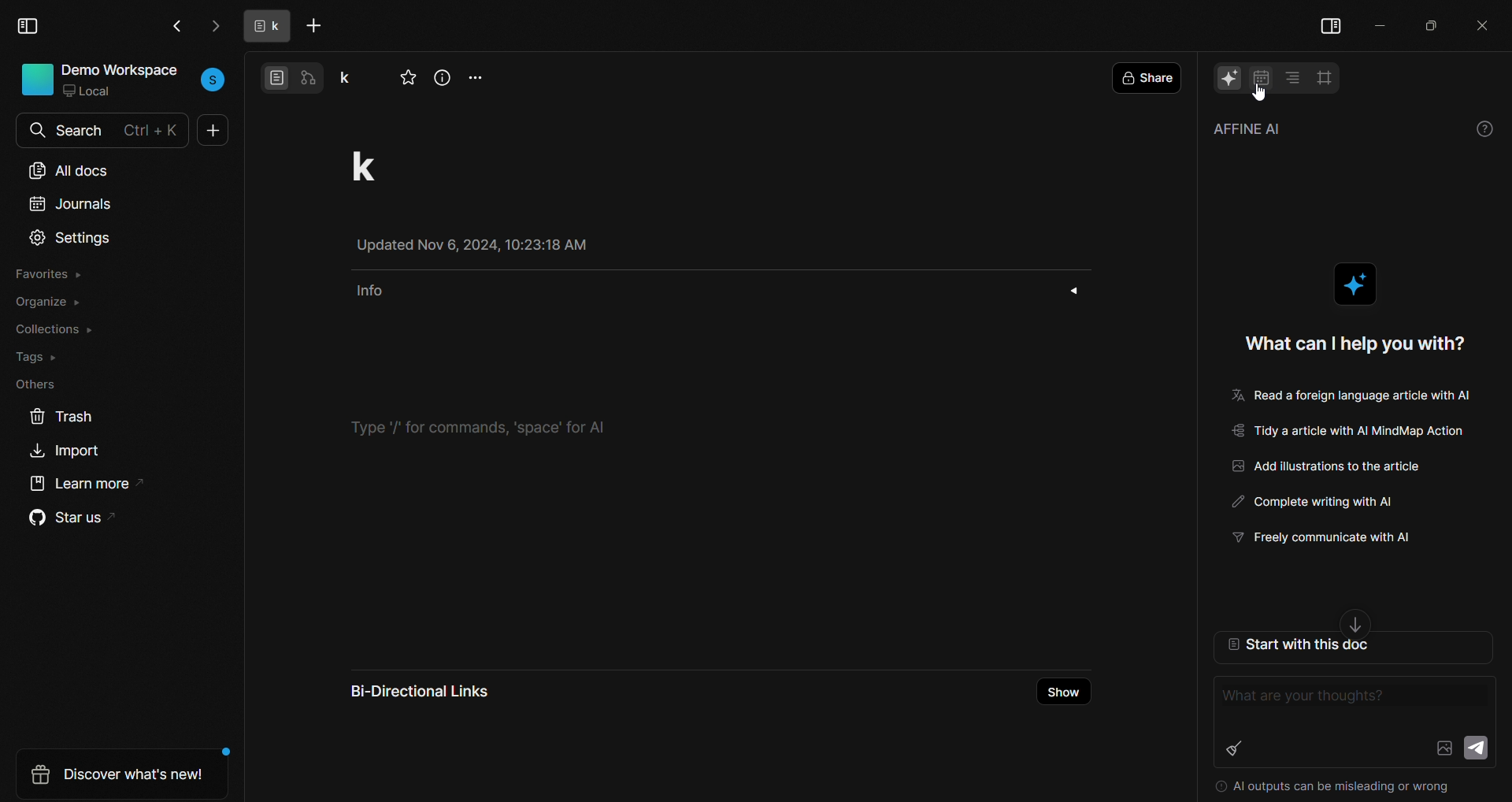 The height and width of the screenshot is (802, 1512). Describe the element at coordinates (71, 239) in the screenshot. I see `settings` at that location.